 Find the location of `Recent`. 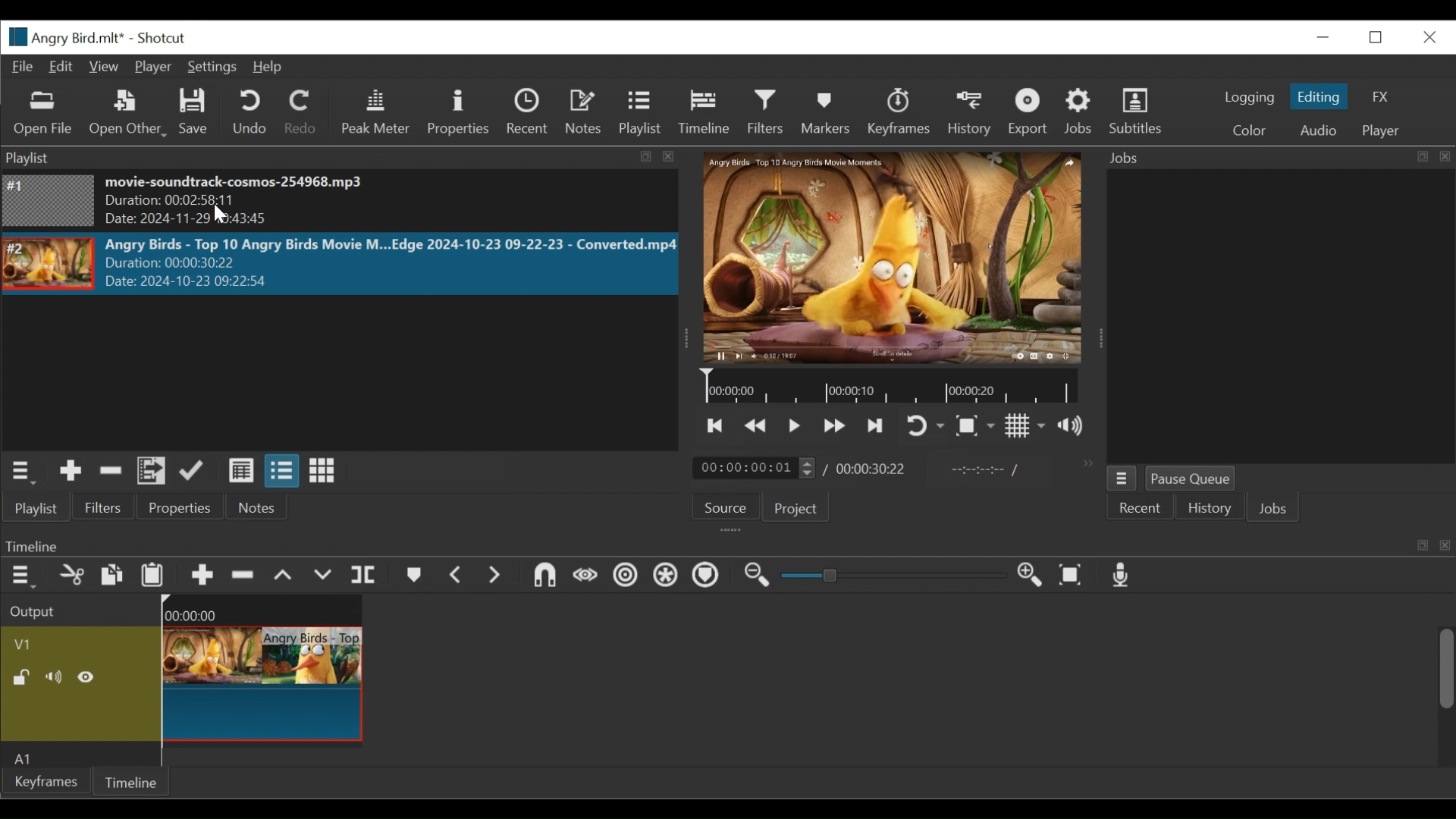

Recent is located at coordinates (527, 112).